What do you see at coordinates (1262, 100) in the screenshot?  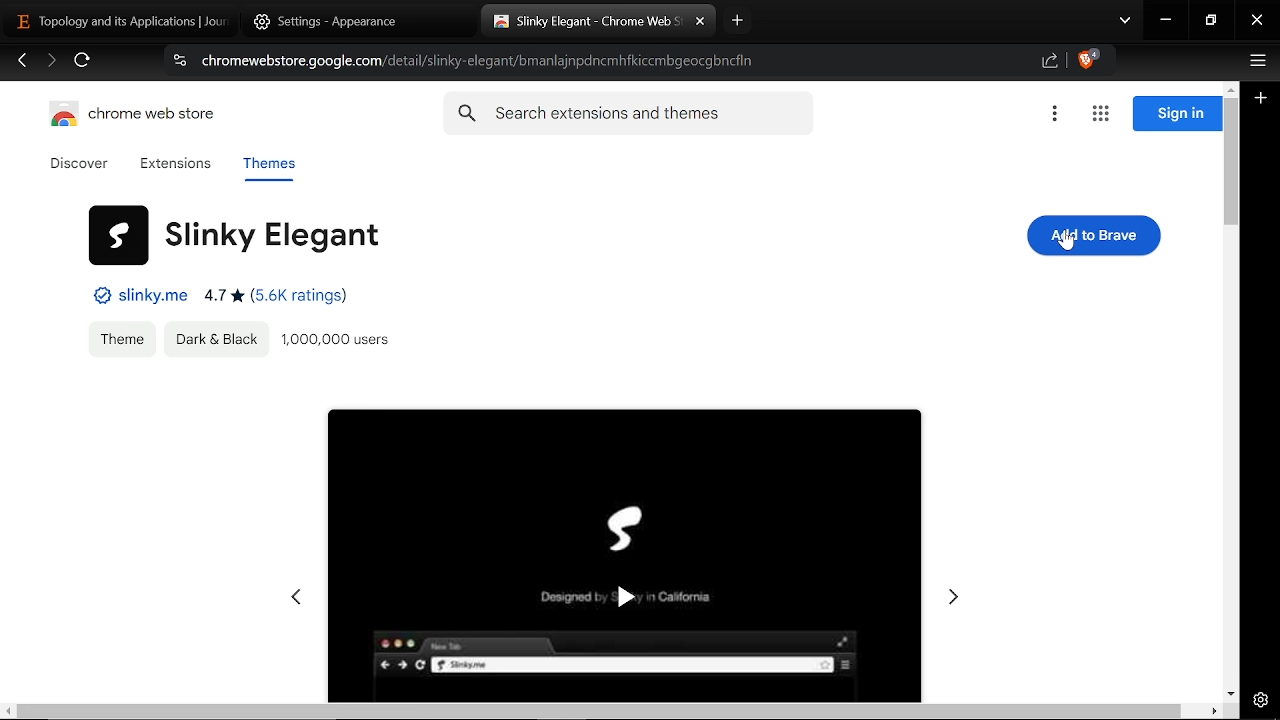 I see `Plus` at bounding box center [1262, 100].